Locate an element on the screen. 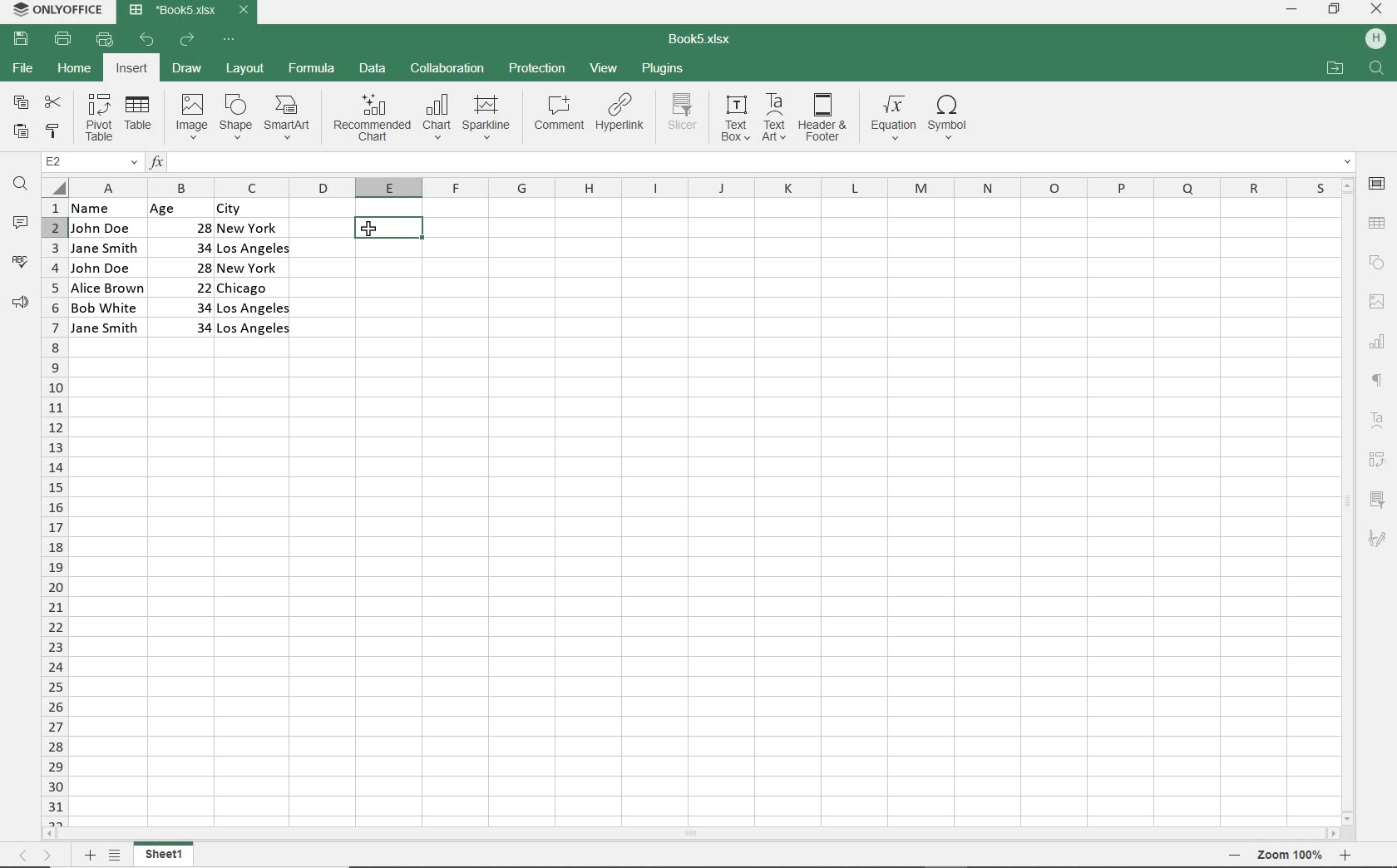 This screenshot has height=868, width=1397. SPELL CHECKER is located at coordinates (20, 265).